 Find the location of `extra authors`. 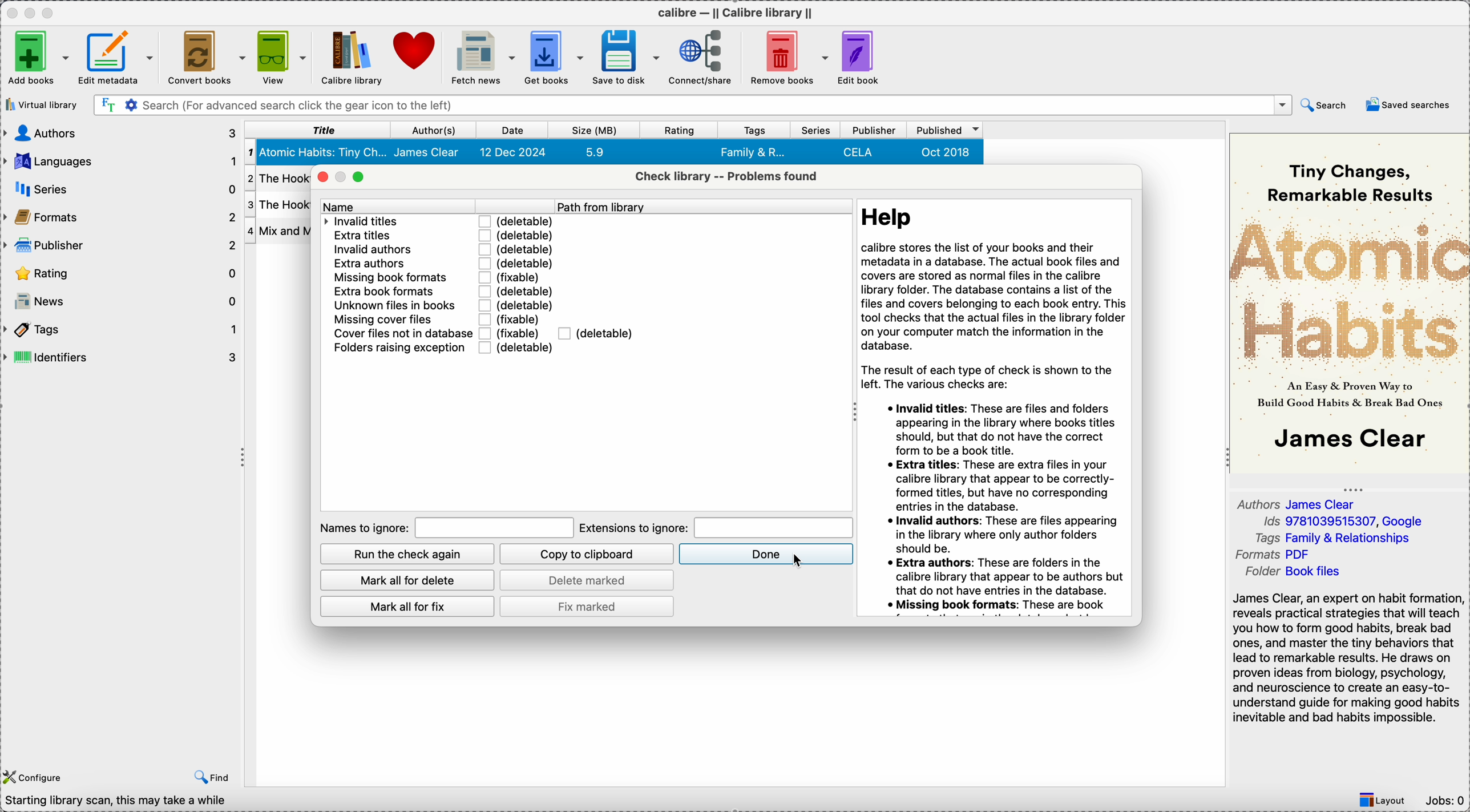

extra authors is located at coordinates (384, 263).